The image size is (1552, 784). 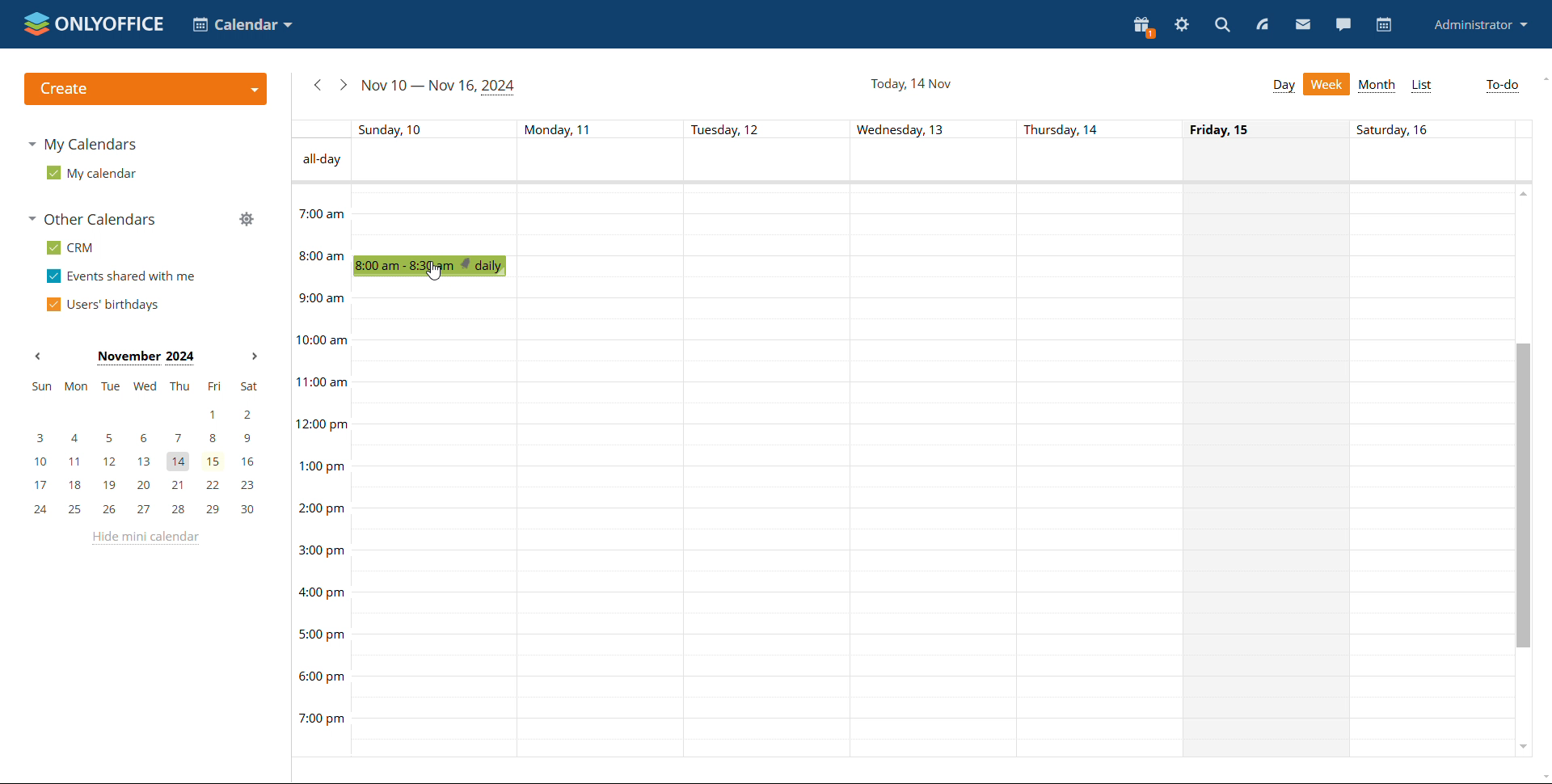 What do you see at coordinates (145, 358) in the screenshot?
I see `current month` at bounding box center [145, 358].